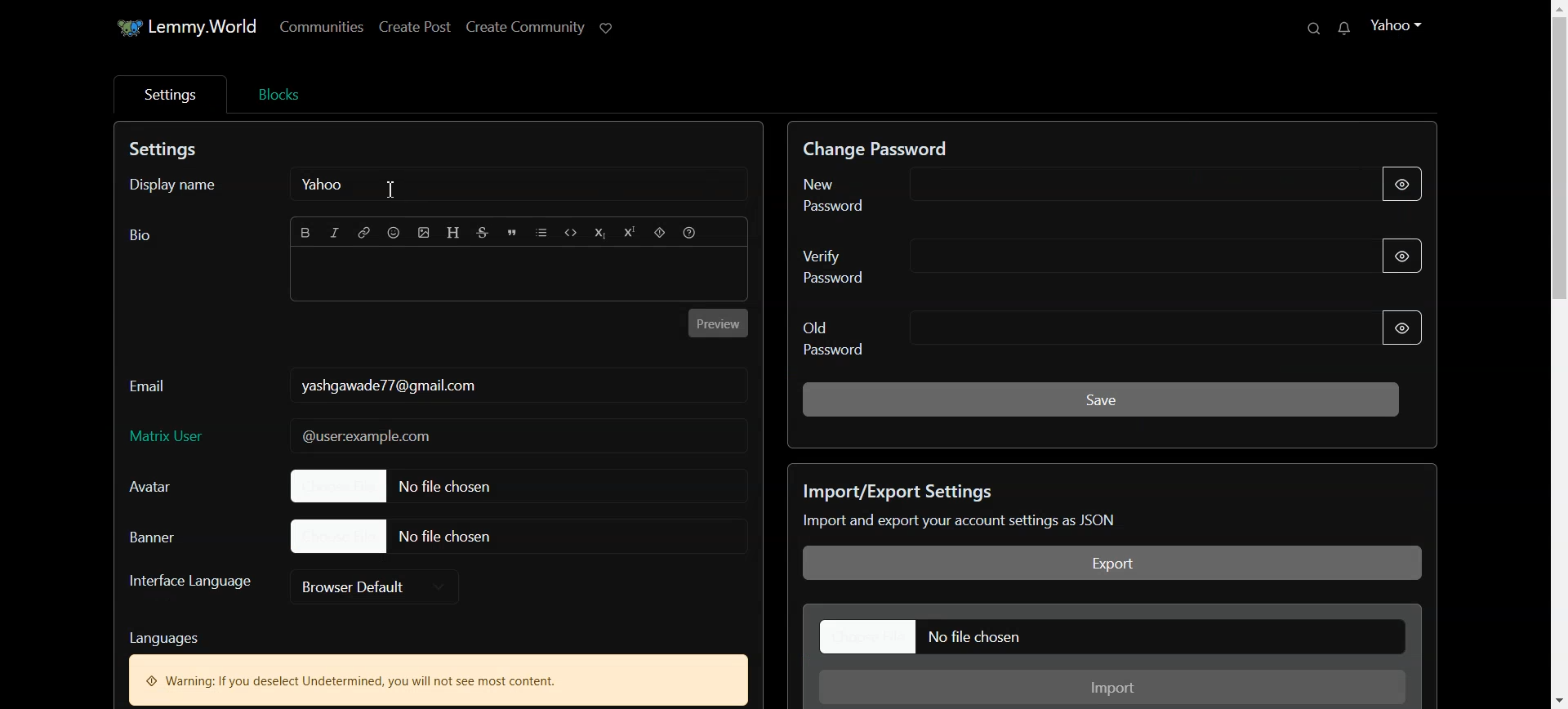  Describe the element at coordinates (390, 190) in the screenshot. I see `Text cursor` at that location.